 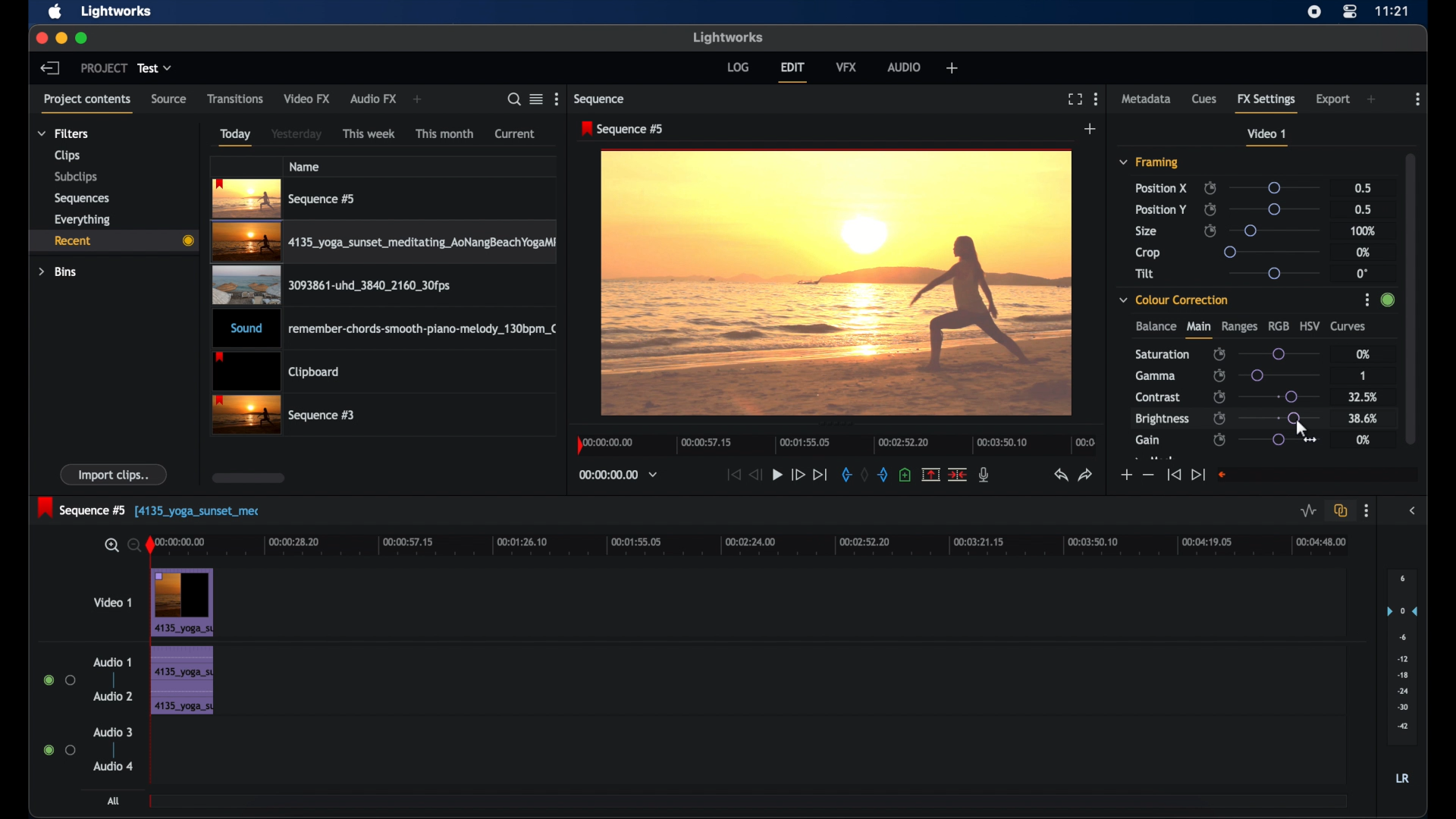 What do you see at coordinates (777, 475) in the screenshot?
I see `play ` at bounding box center [777, 475].